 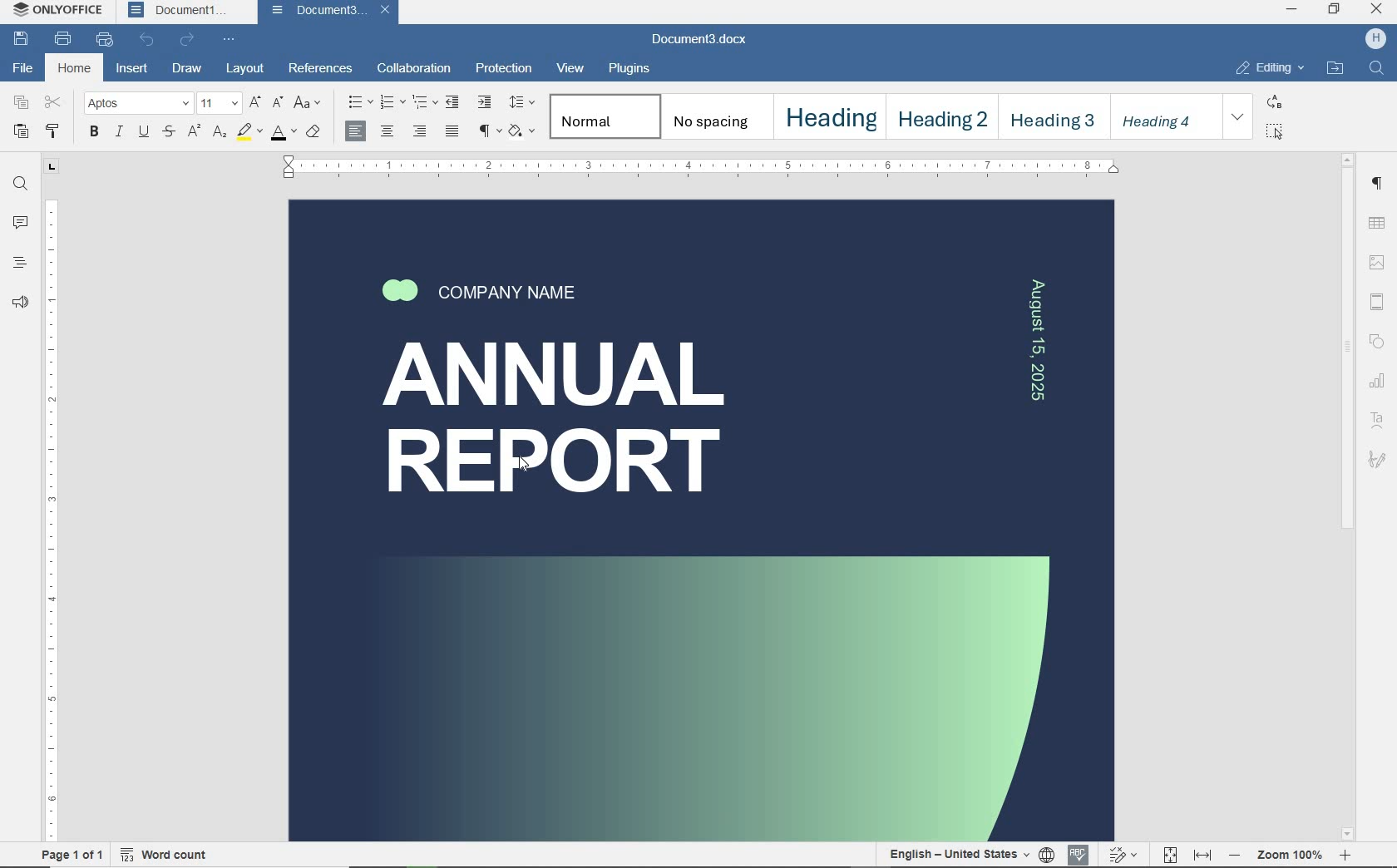 I want to click on Normal, so click(x=603, y=116).